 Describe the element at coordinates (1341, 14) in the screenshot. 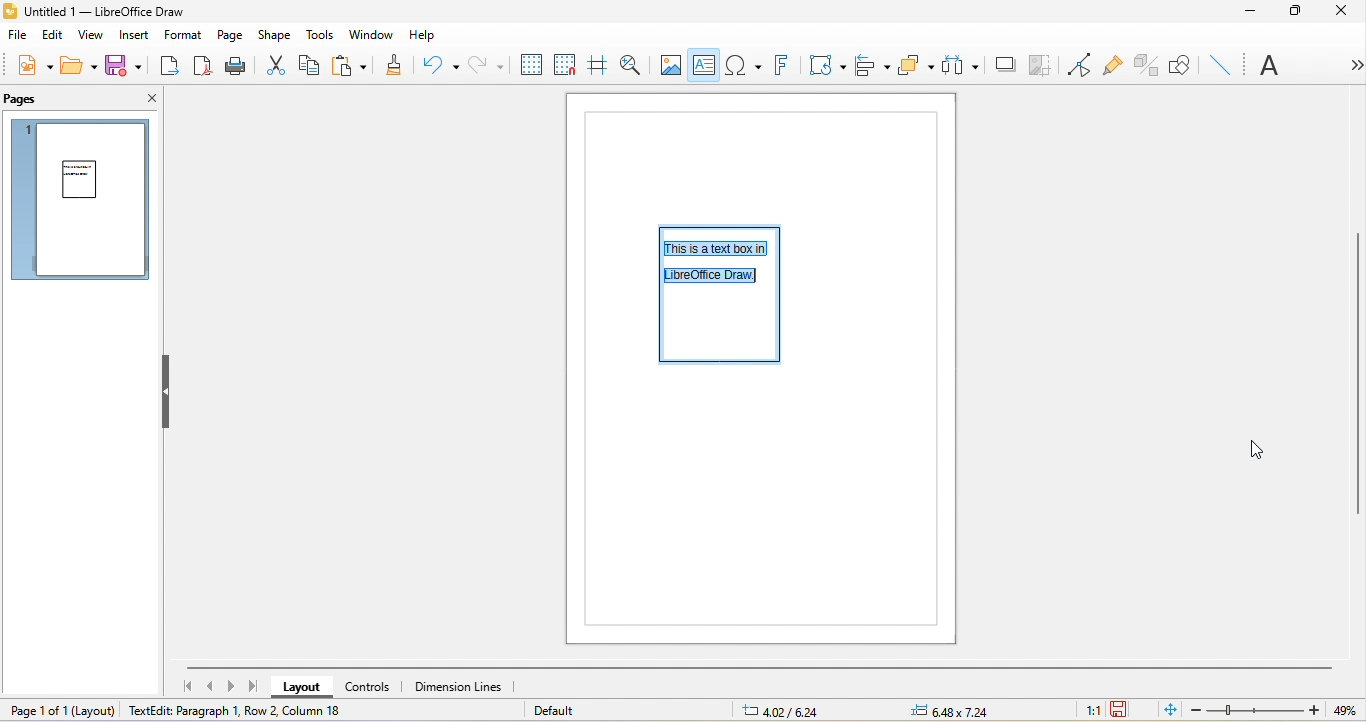

I see `close` at that location.